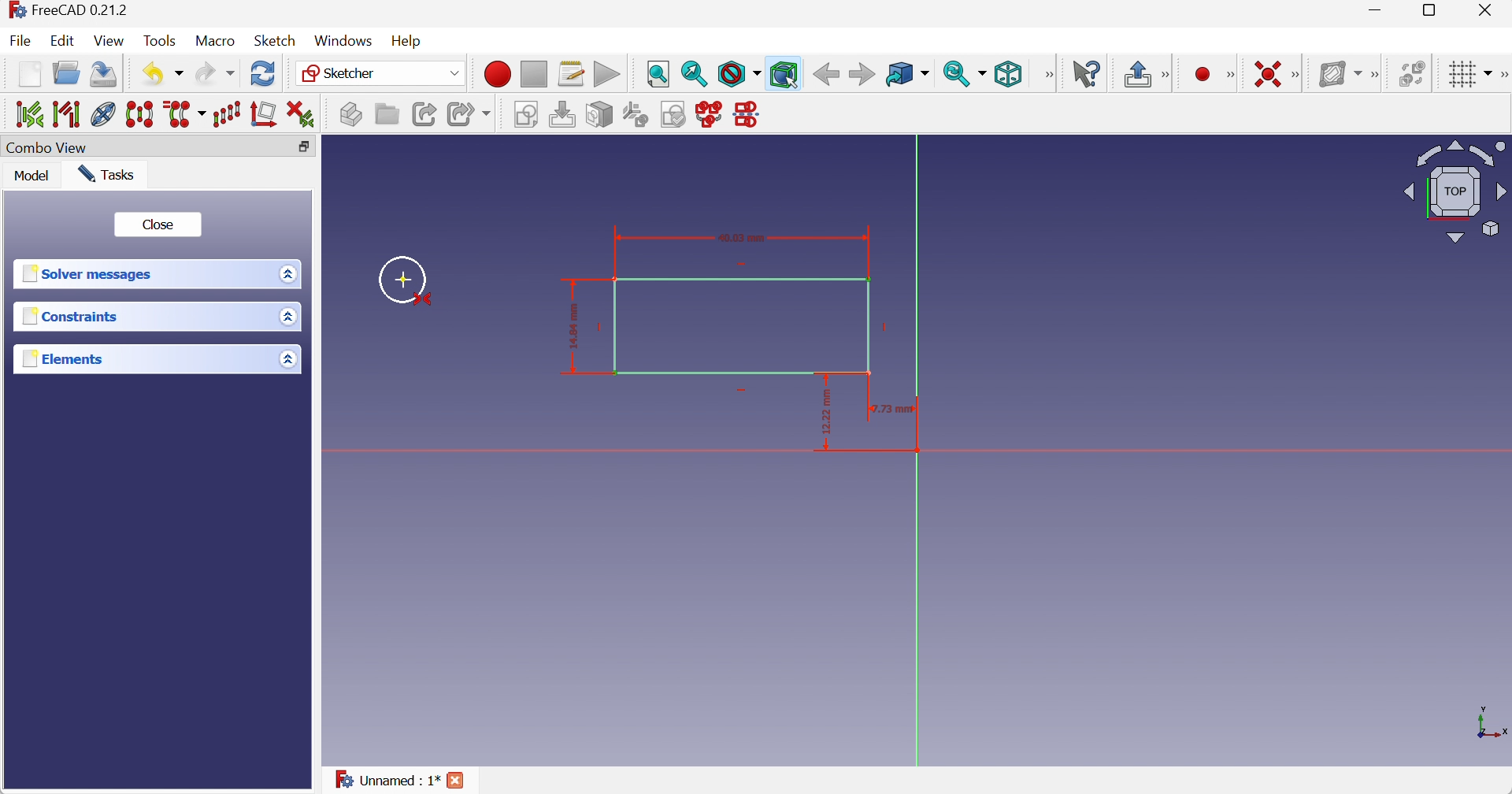 This screenshot has width=1512, height=794. Describe the element at coordinates (497, 74) in the screenshot. I see `Macro recording...` at that location.